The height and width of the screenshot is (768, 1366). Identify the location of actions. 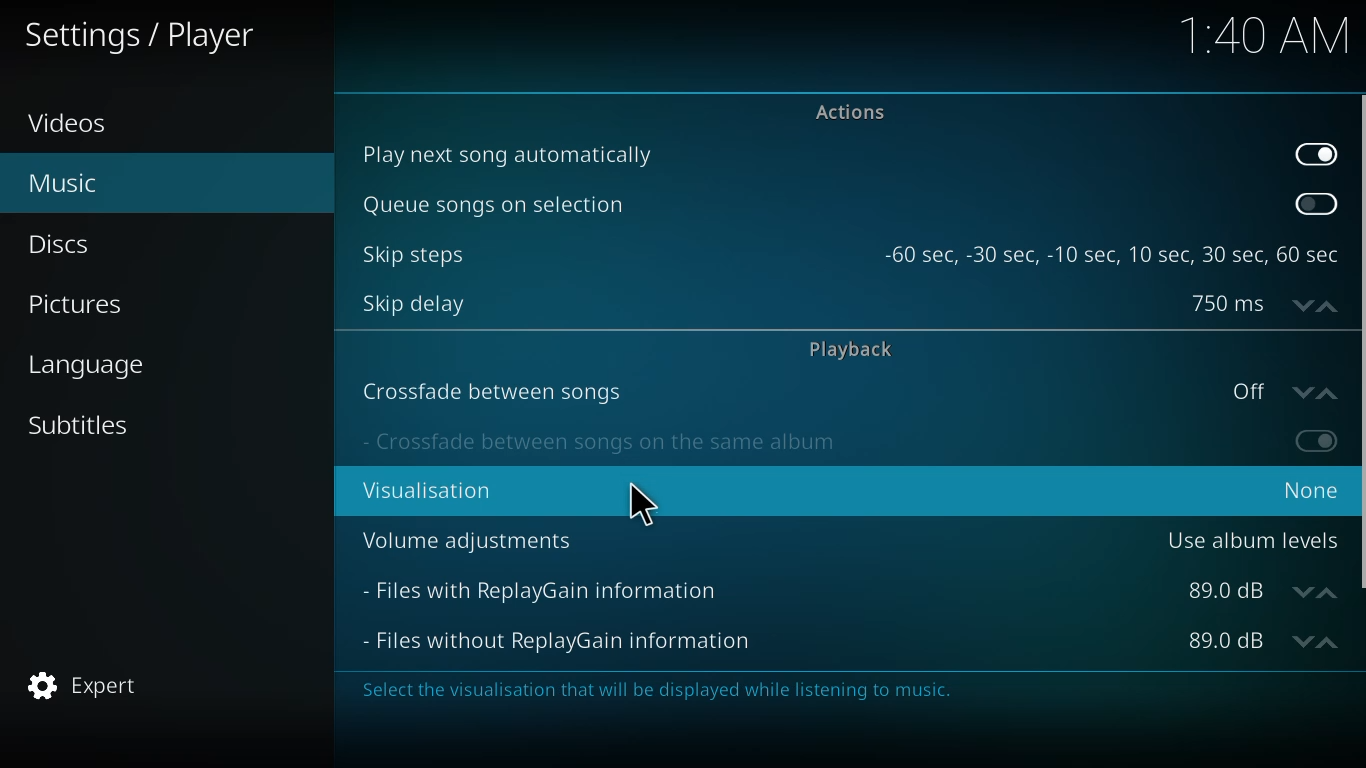
(848, 113).